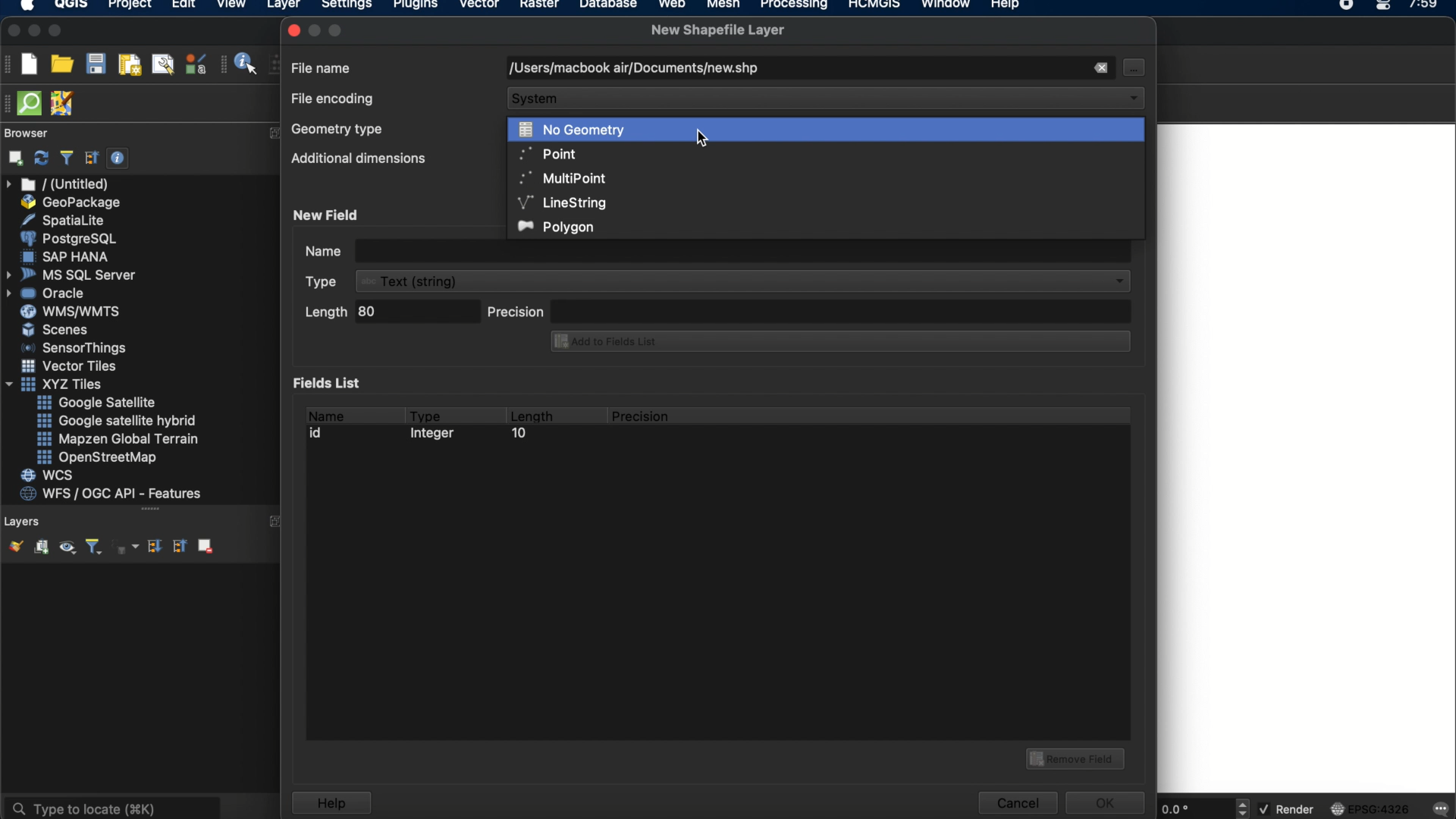 The width and height of the screenshot is (1456, 819). Describe the element at coordinates (798, 6) in the screenshot. I see `processing` at that location.